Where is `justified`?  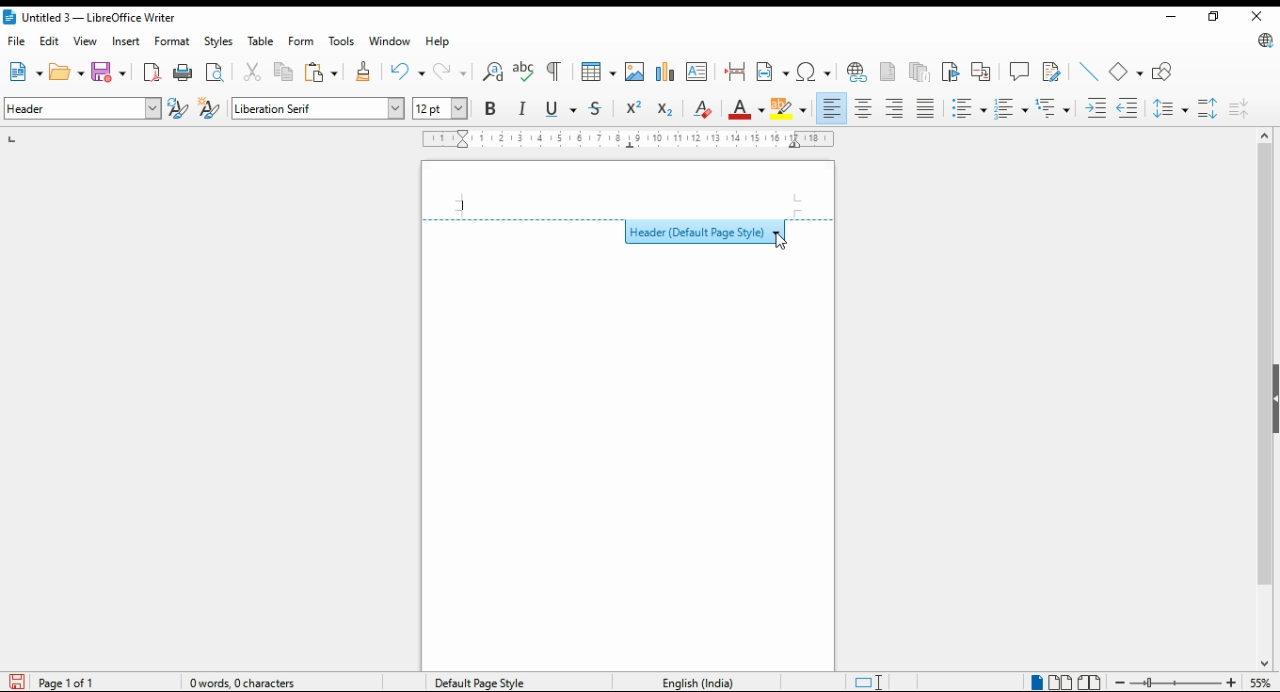 justified is located at coordinates (925, 109).